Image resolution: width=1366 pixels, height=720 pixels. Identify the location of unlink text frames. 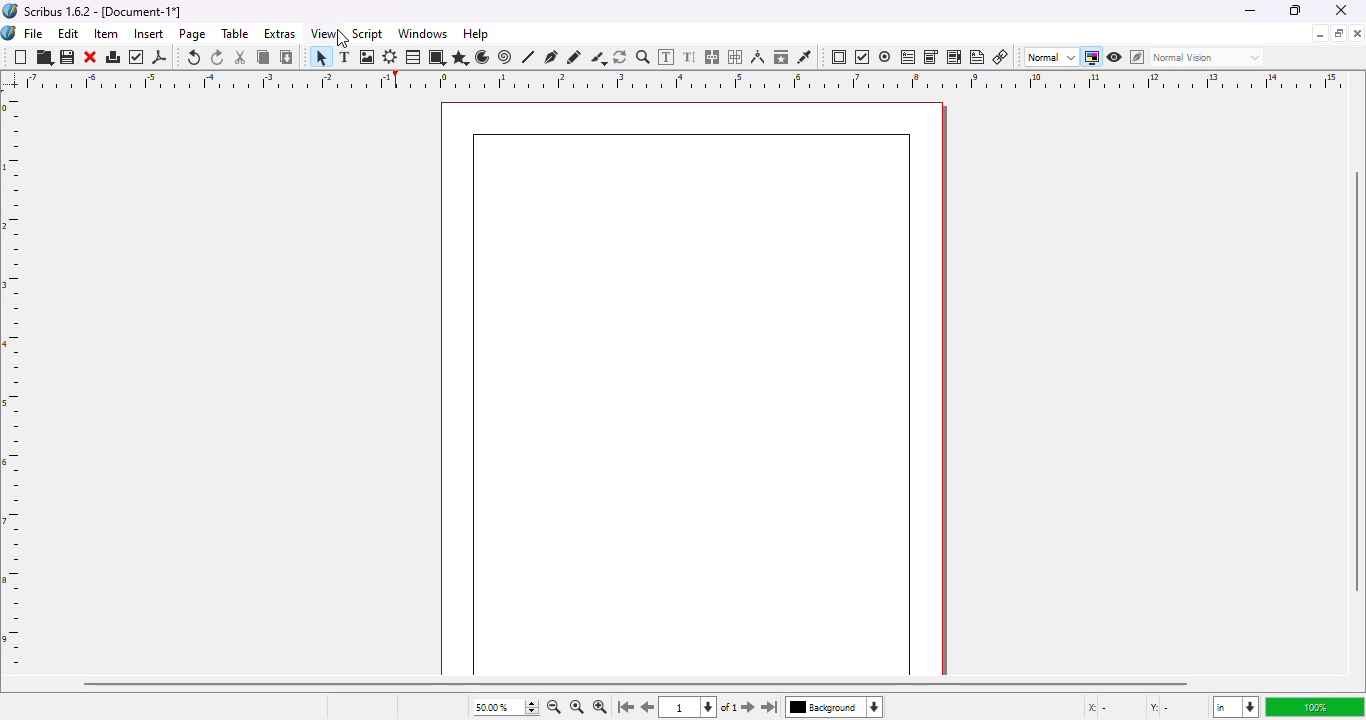
(738, 57).